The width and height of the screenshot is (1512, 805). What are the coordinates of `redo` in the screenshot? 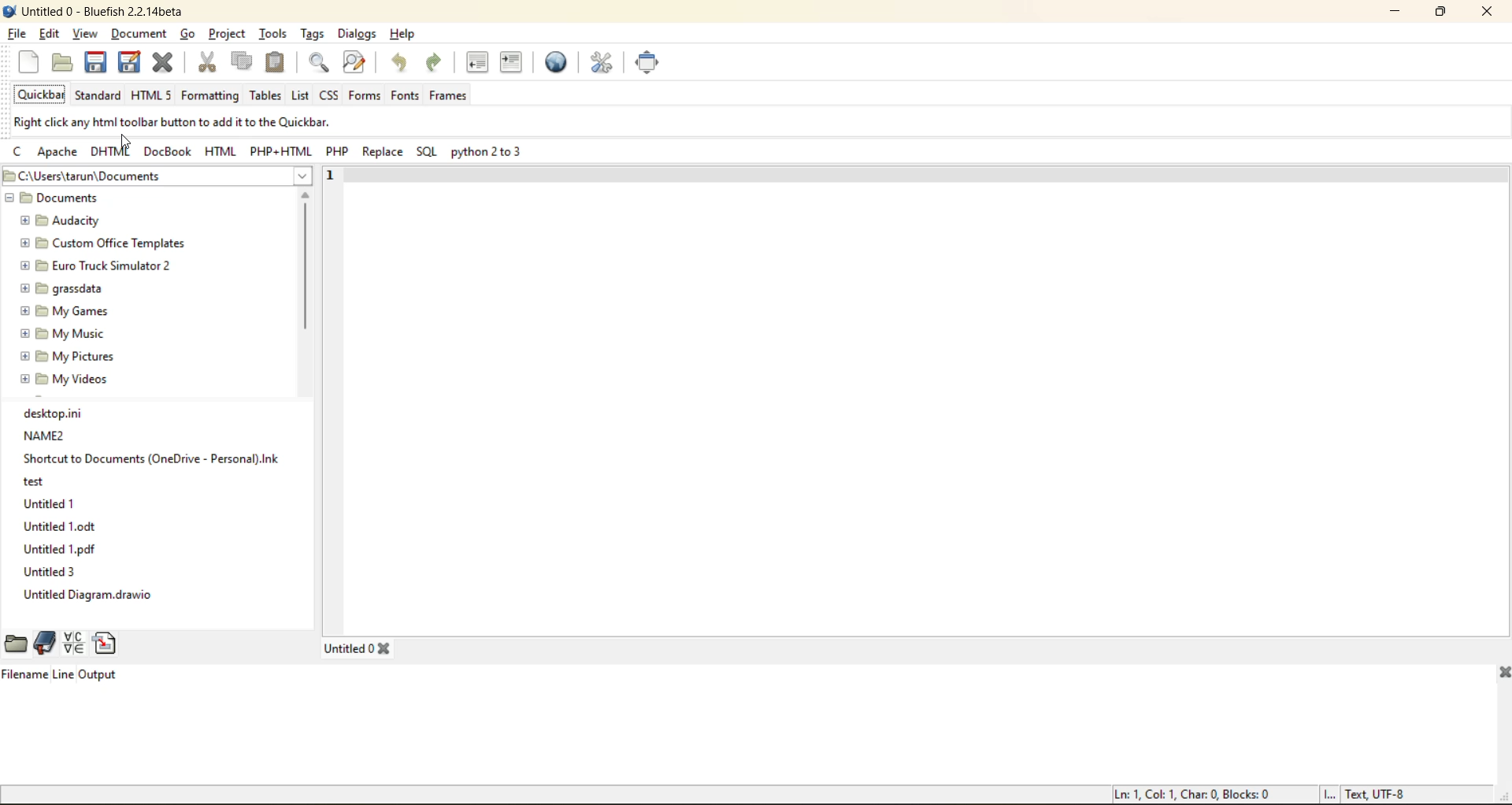 It's located at (437, 63).